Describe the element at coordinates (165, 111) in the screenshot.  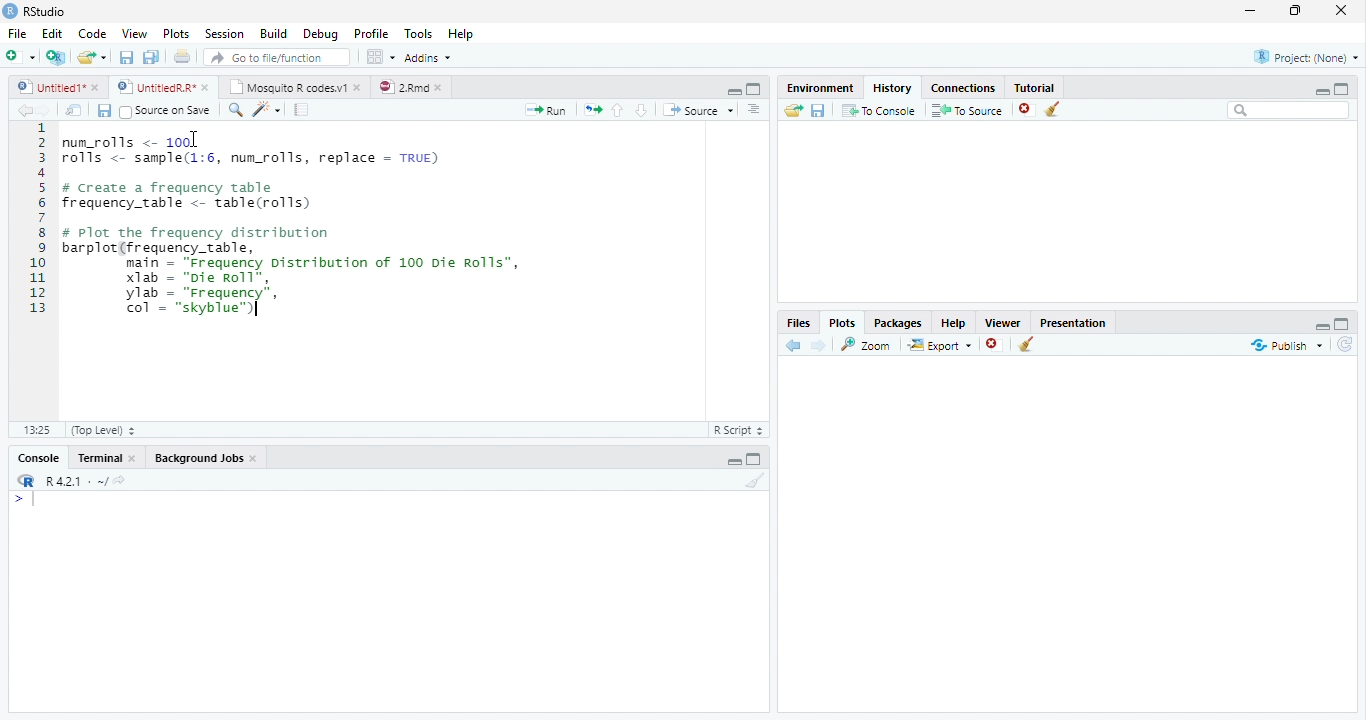
I see `Source on Save` at that location.